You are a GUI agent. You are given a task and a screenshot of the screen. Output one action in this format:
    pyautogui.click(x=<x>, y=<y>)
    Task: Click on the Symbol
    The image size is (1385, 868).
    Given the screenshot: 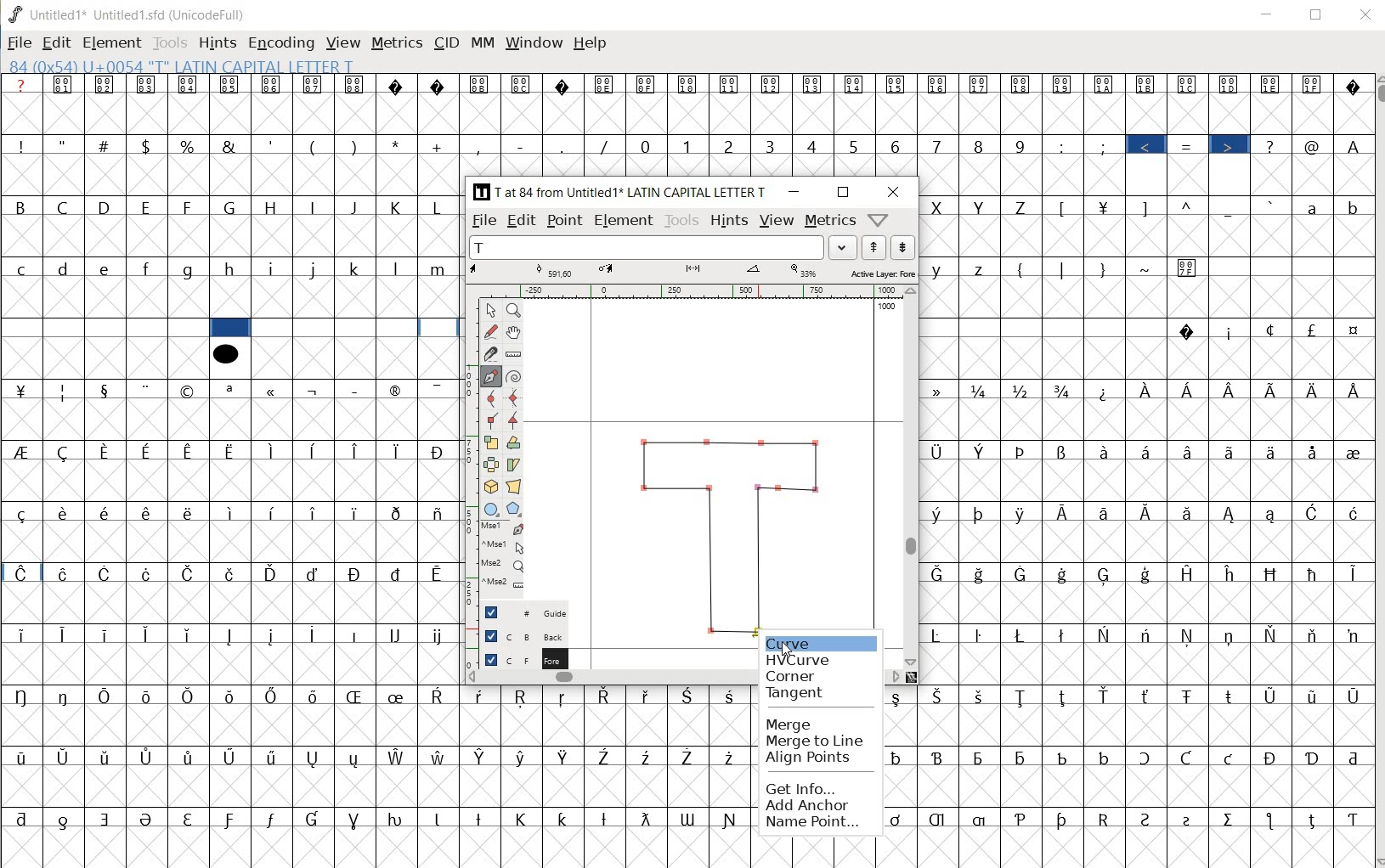 What is the action you would take?
    pyautogui.click(x=647, y=819)
    